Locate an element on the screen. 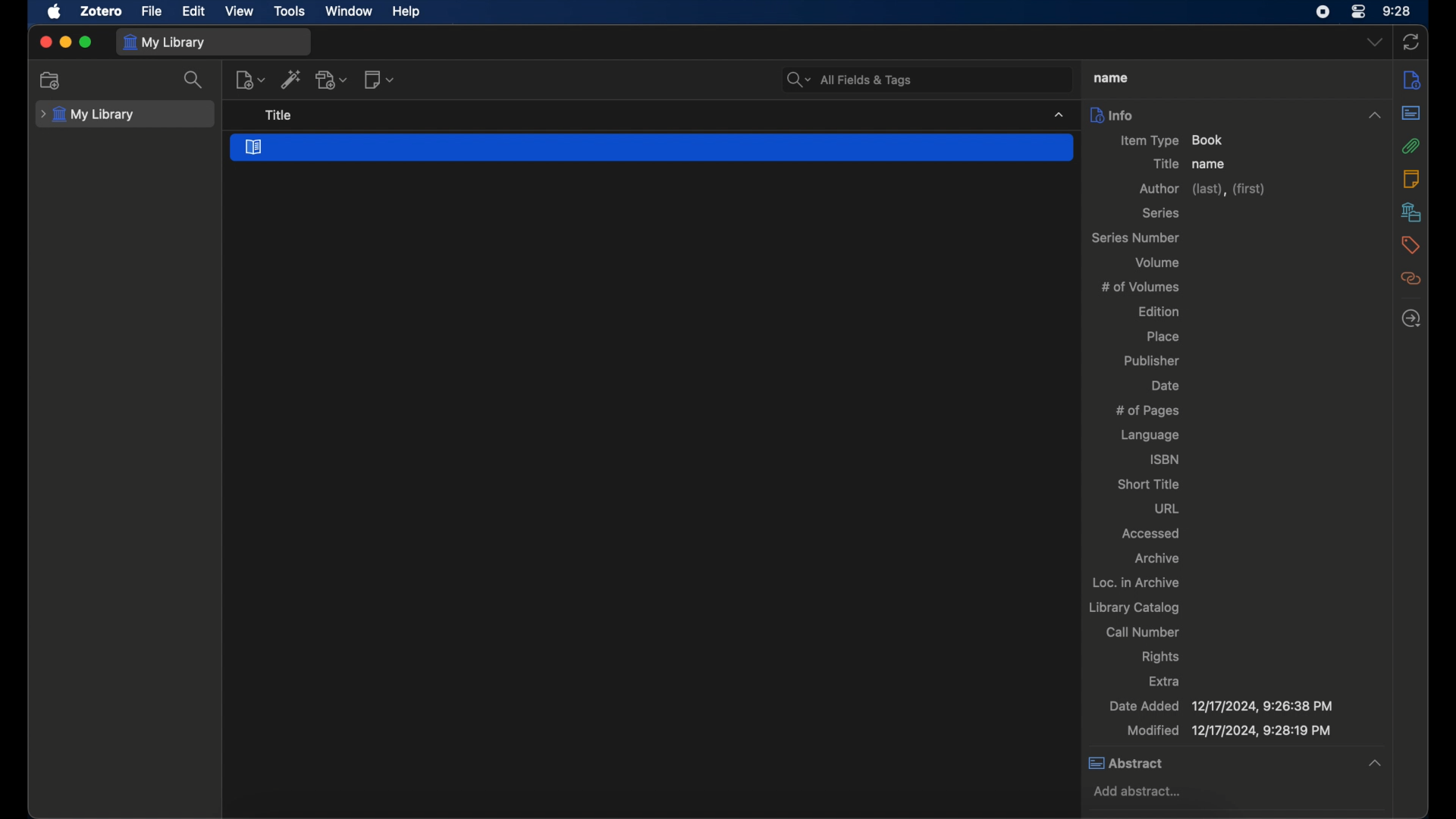 The image size is (1456, 819). screen recorder icon is located at coordinates (1323, 12).